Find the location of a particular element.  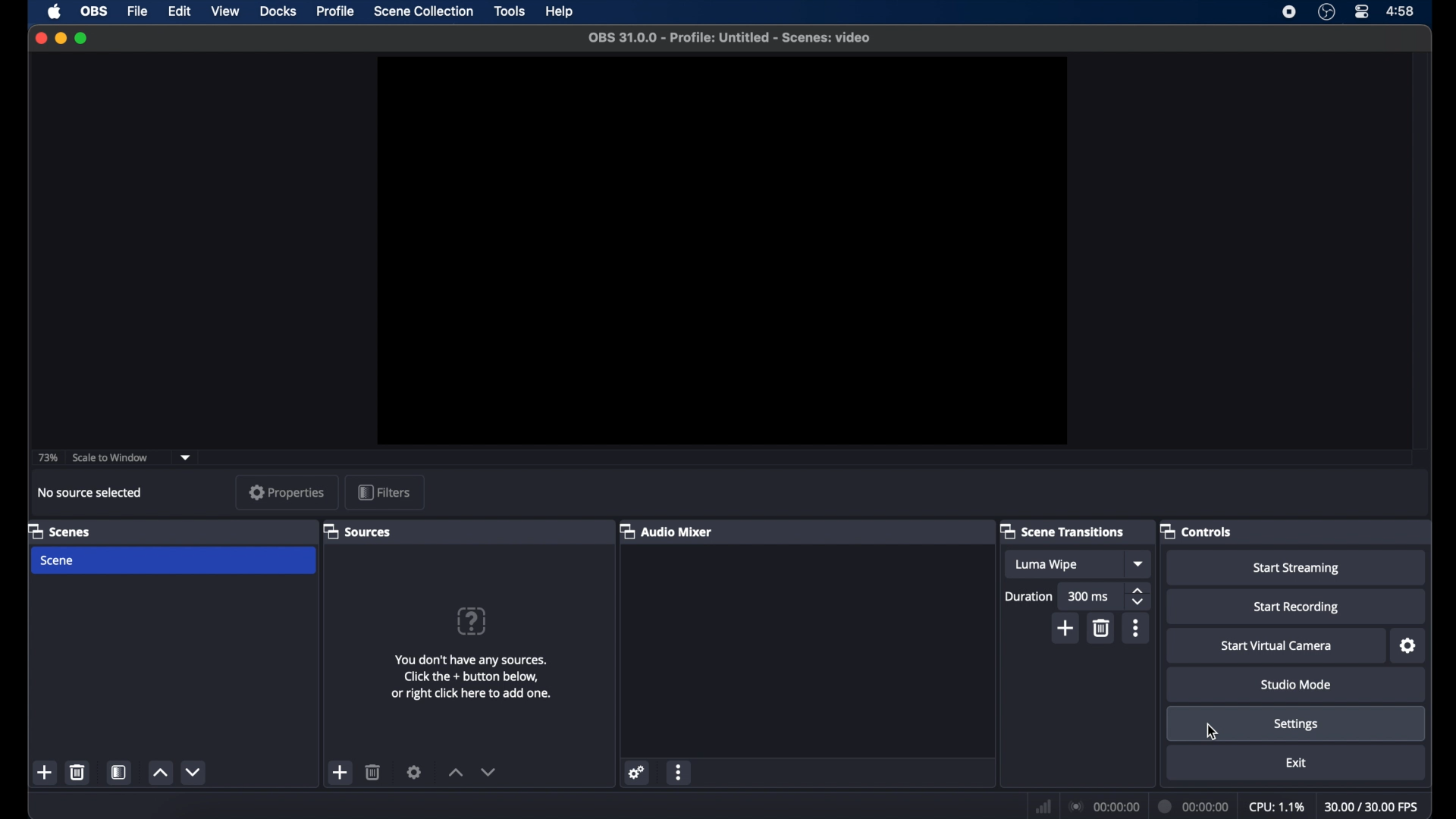

OBS 31.0.0 - Profile: Untitled - Scenes: video is located at coordinates (733, 37).